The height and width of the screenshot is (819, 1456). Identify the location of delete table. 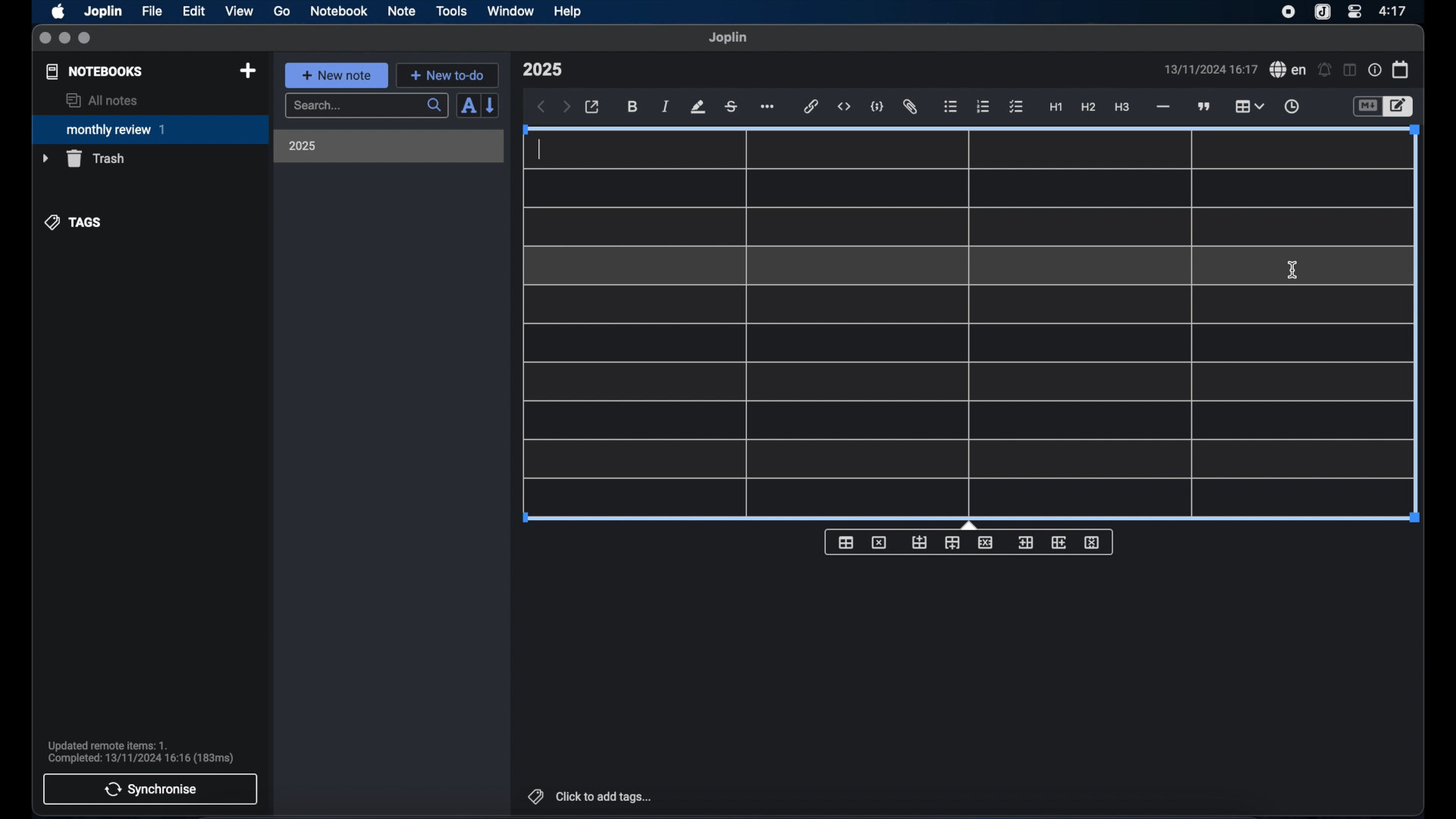
(879, 543).